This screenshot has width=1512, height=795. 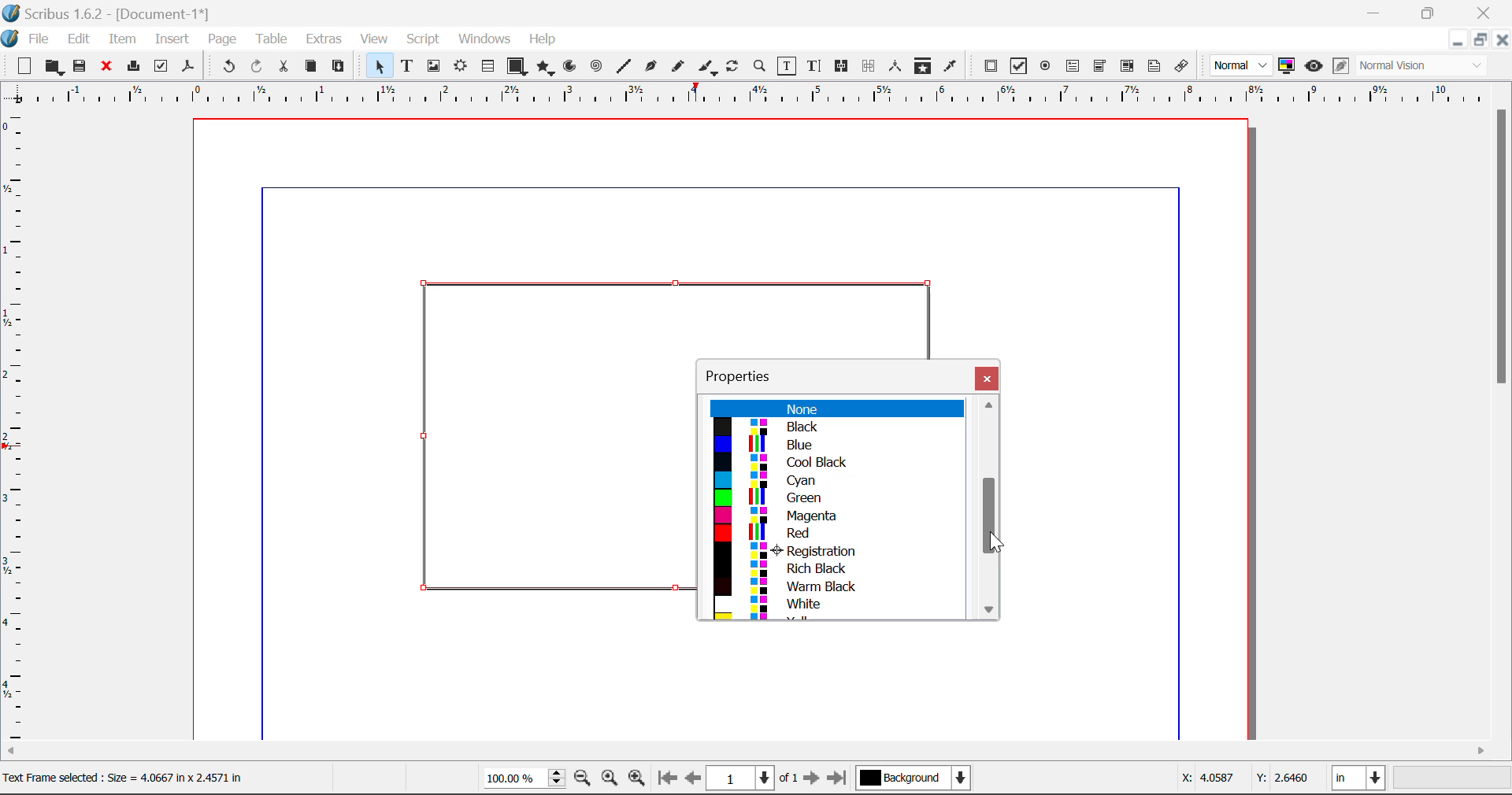 What do you see at coordinates (460, 67) in the screenshot?
I see `Render Frame` at bounding box center [460, 67].